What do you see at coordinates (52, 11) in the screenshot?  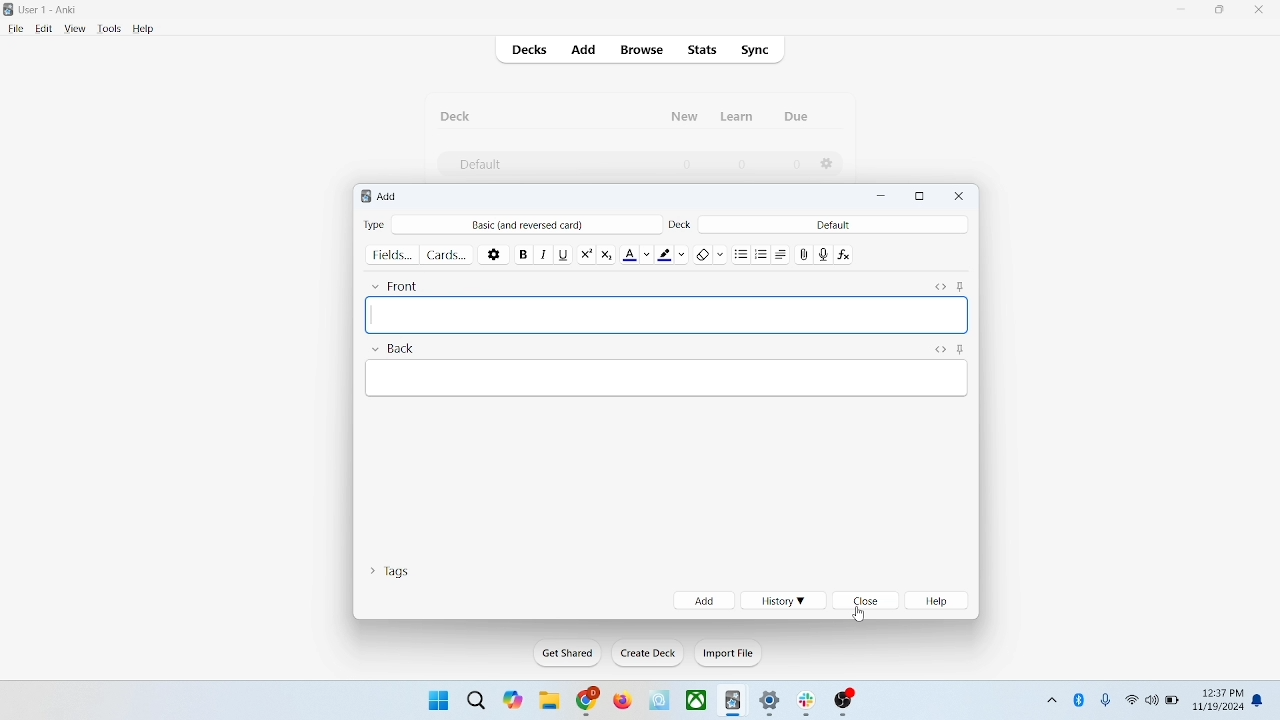 I see `User-1 Anki` at bounding box center [52, 11].